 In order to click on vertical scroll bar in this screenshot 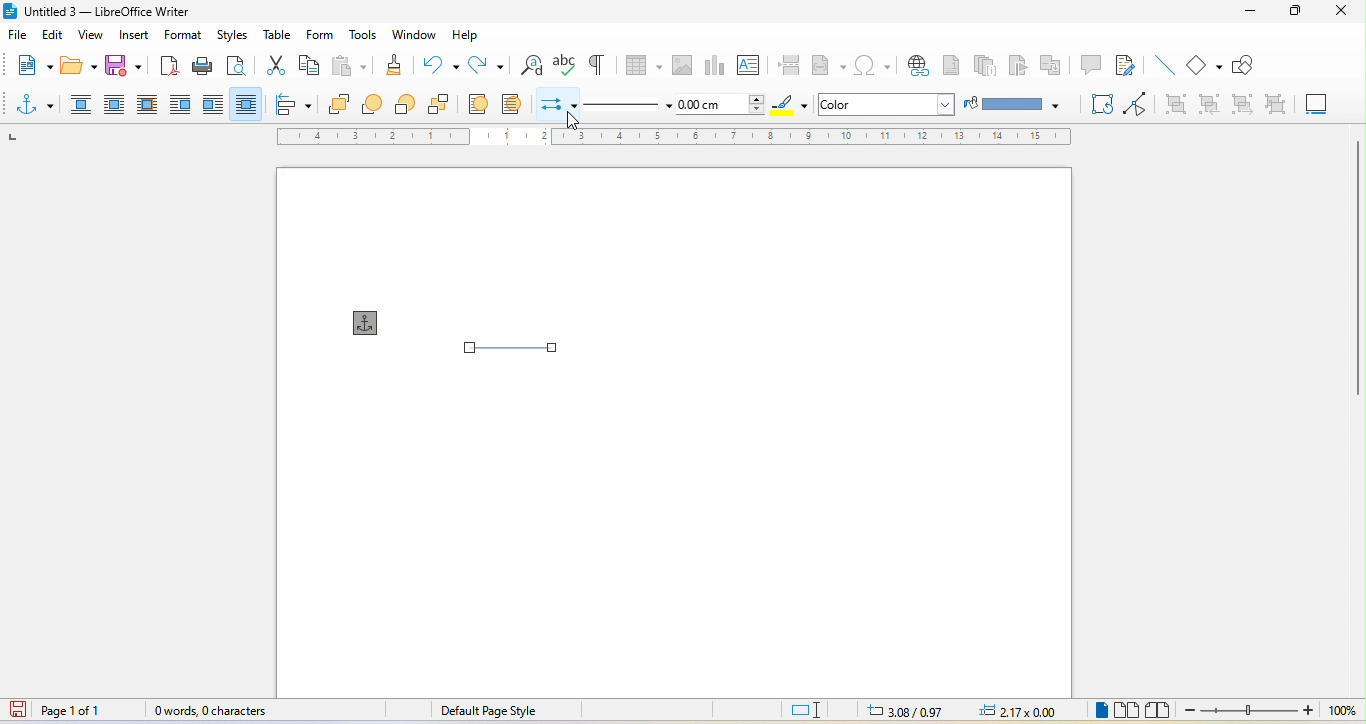, I will do `click(1357, 252)`.